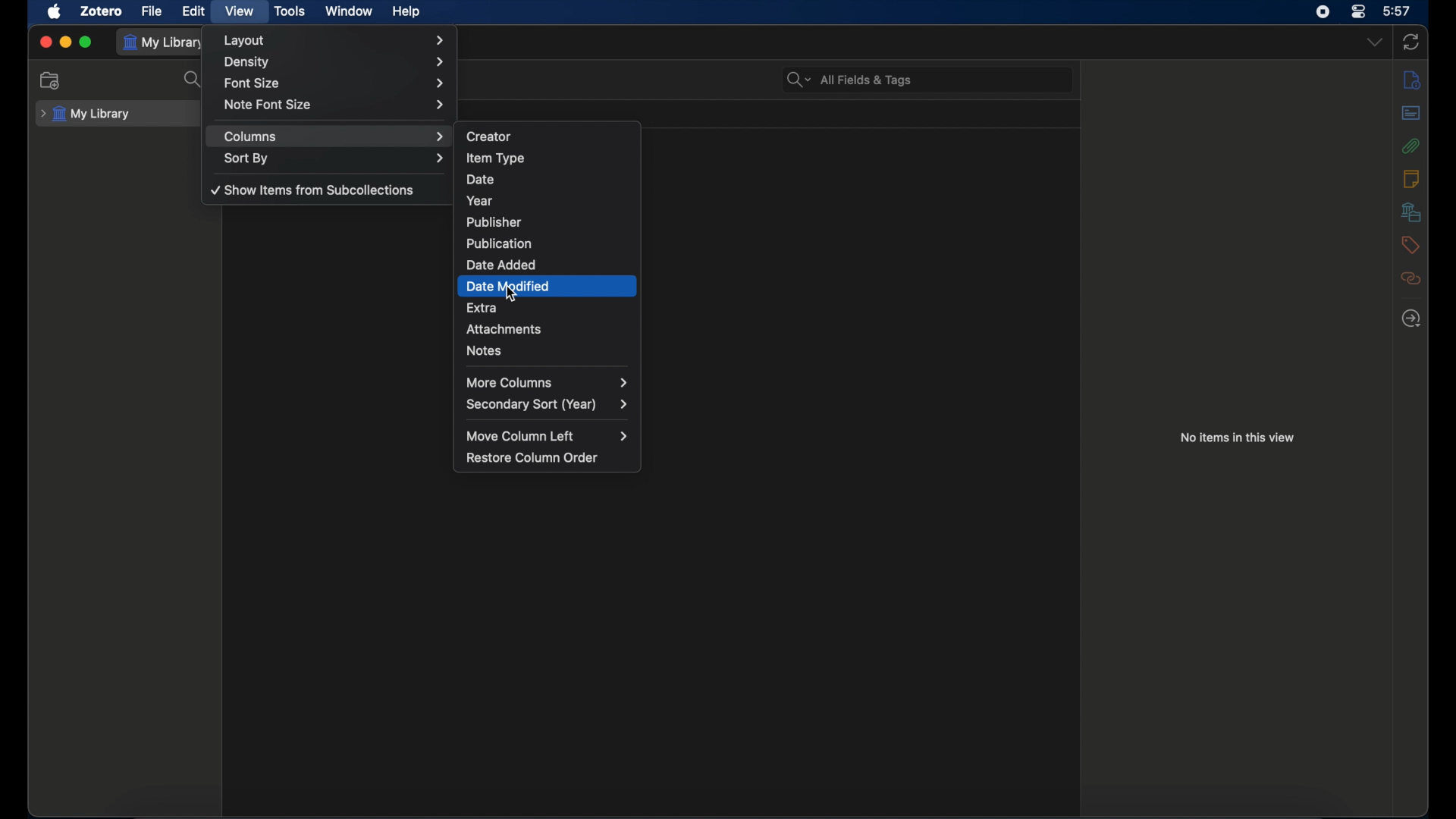 This screenshot has width=1456, height=819. What do you see at coordinates (549, 135) in the screenshot?
I see `creator` at bounding box center [549, 135].